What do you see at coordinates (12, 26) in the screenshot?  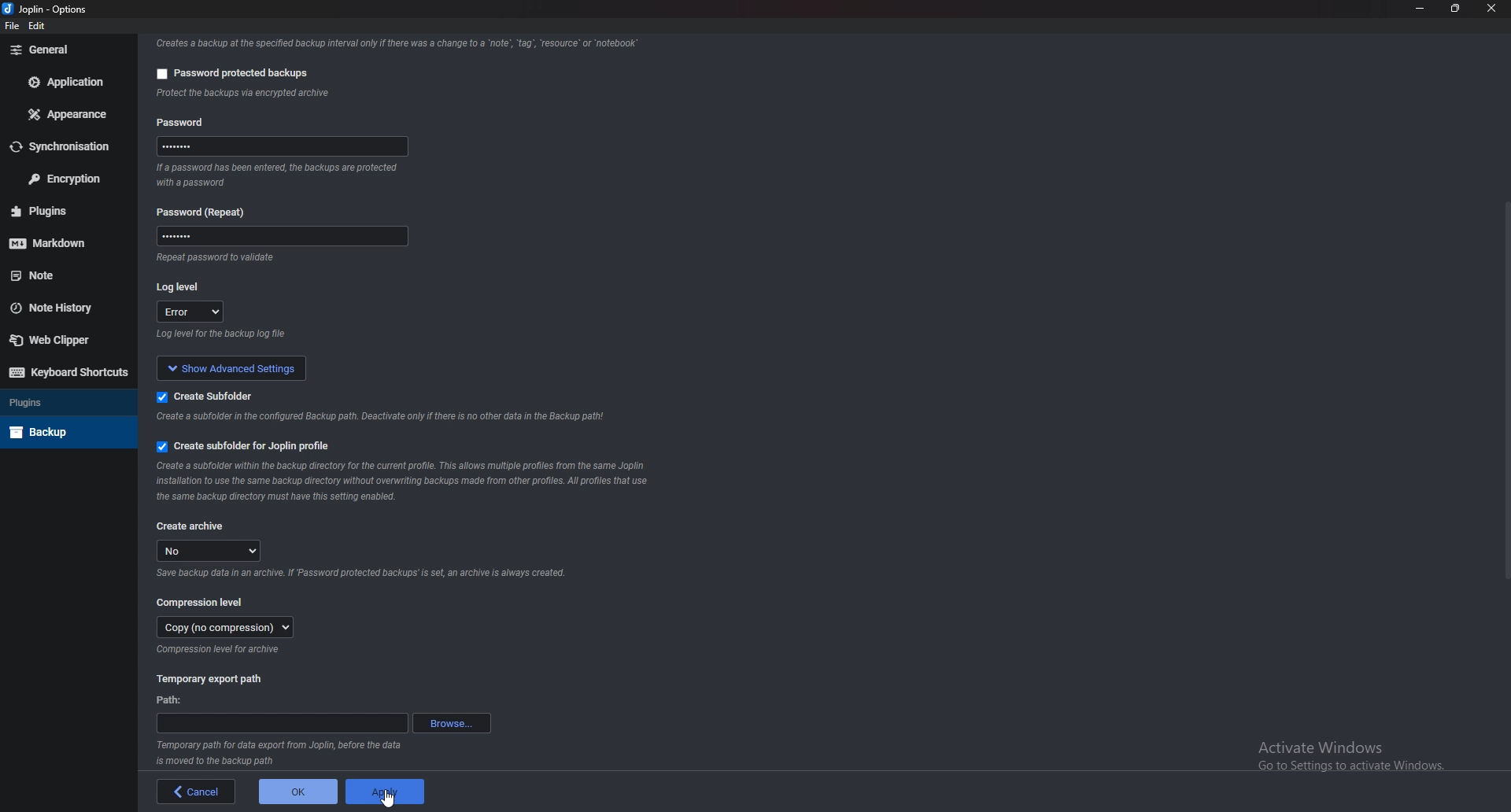 I see `file` at bounding box center [12, 26].